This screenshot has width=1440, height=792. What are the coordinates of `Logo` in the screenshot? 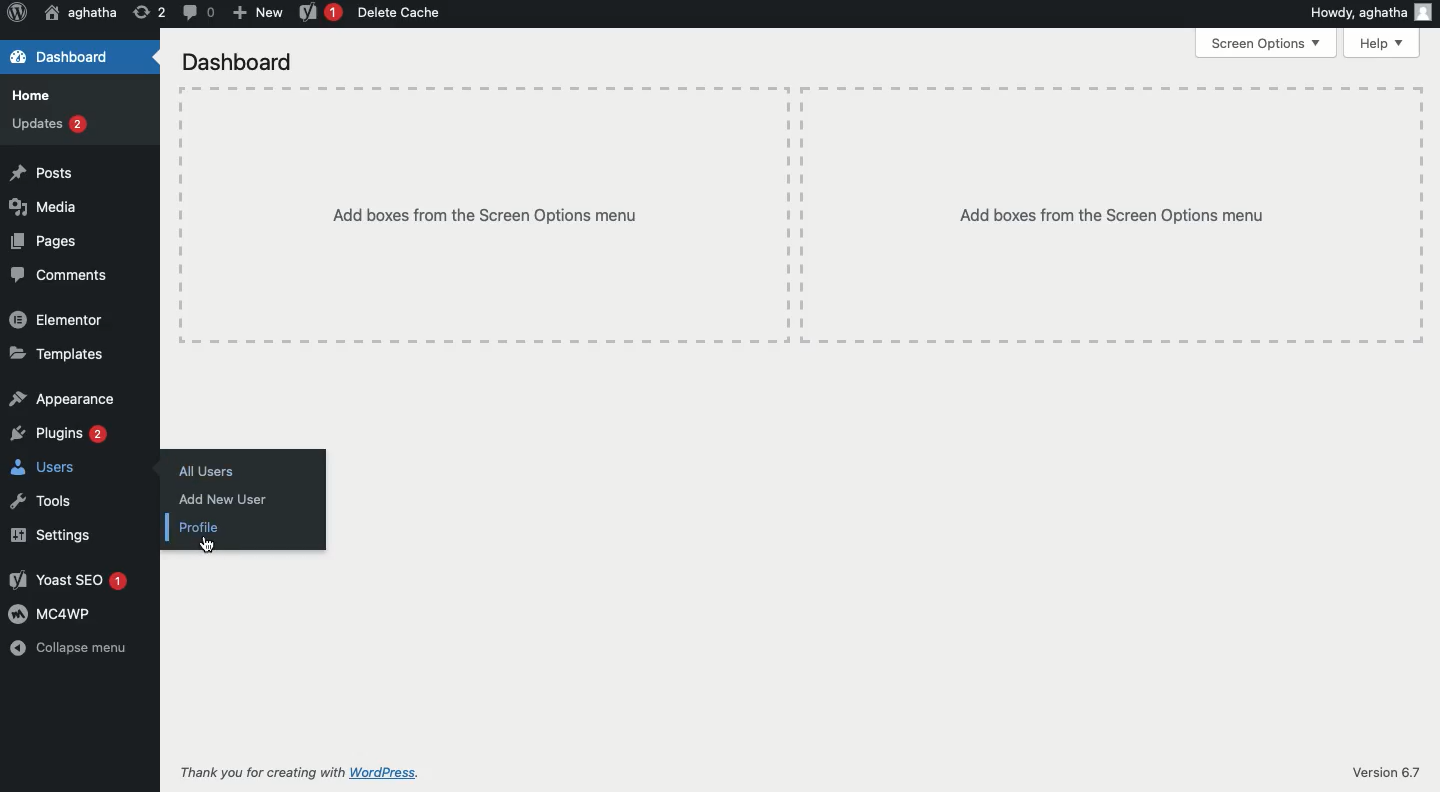 It's located at (16, 13).